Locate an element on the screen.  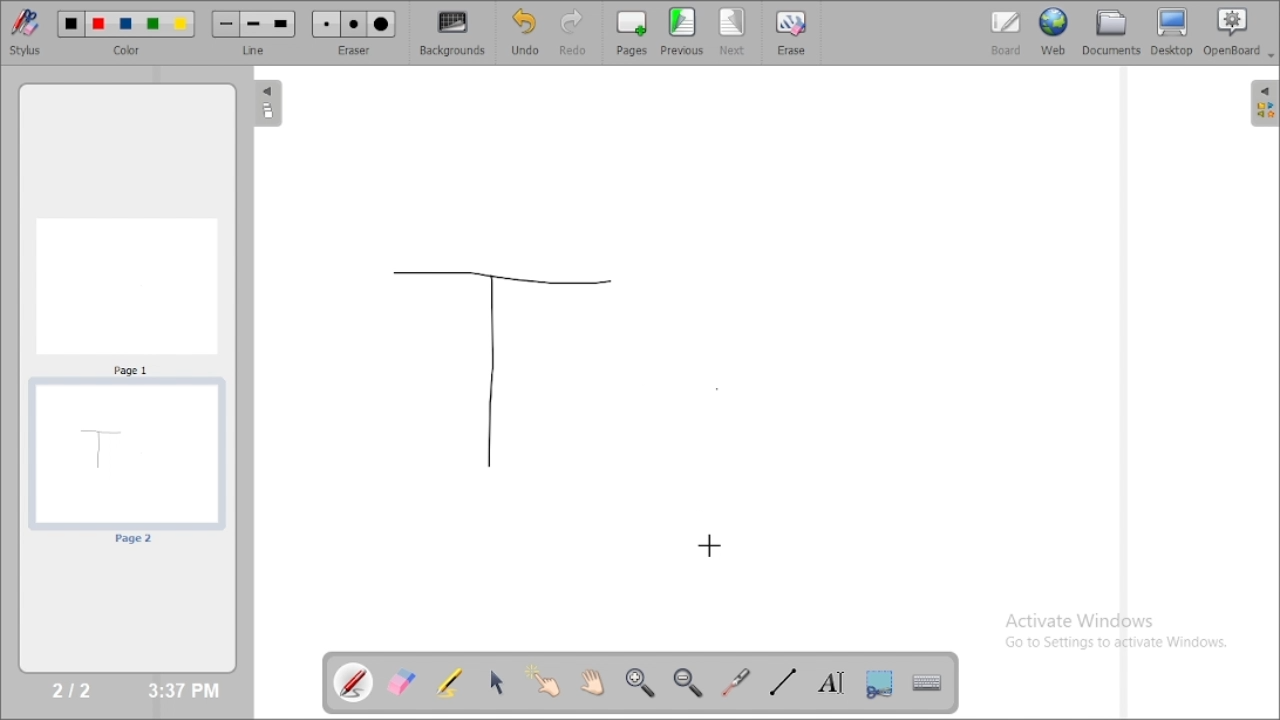
T is located at coordinates (497, 366).